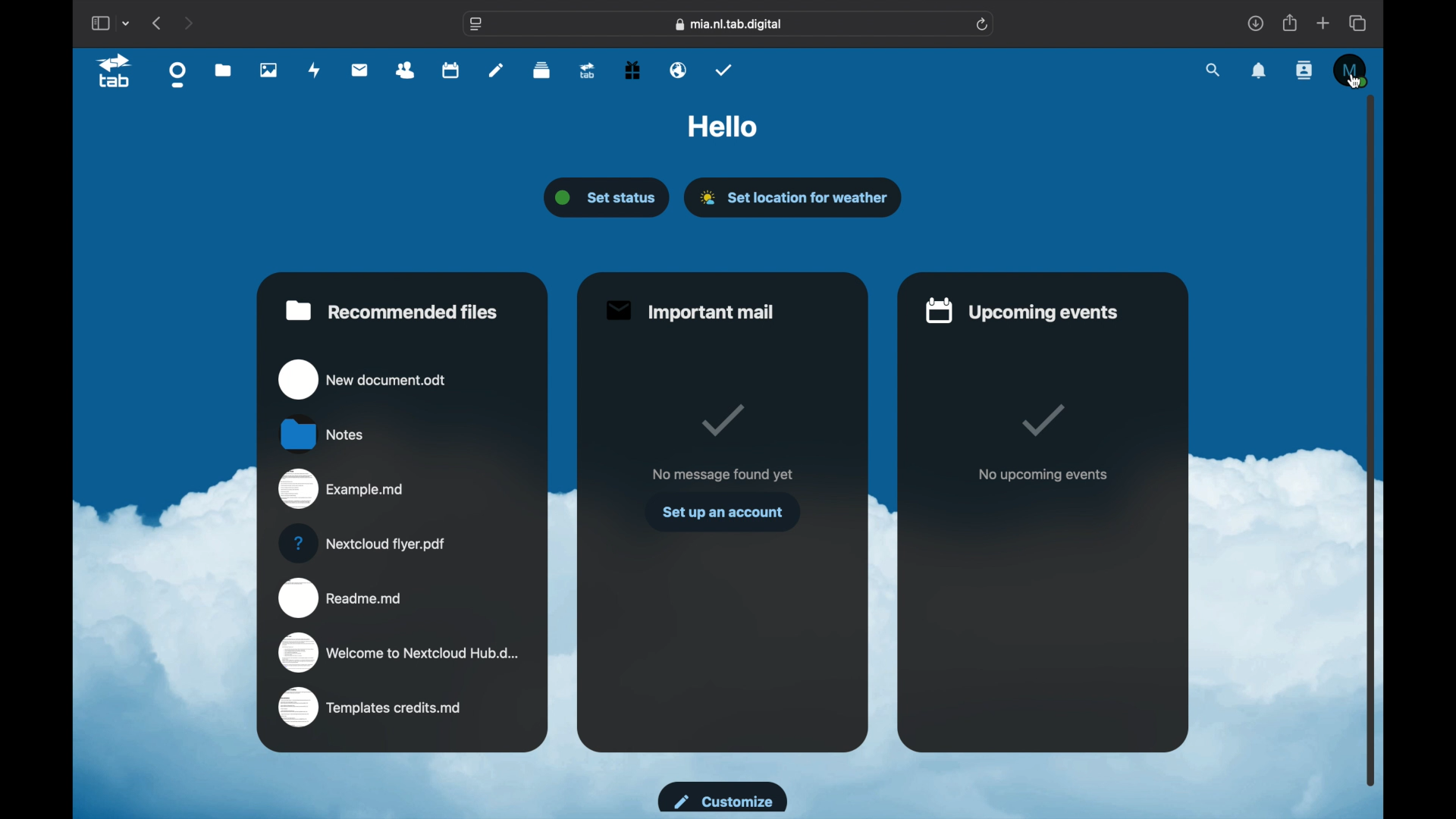  I want to click on email, so click(679, 71).